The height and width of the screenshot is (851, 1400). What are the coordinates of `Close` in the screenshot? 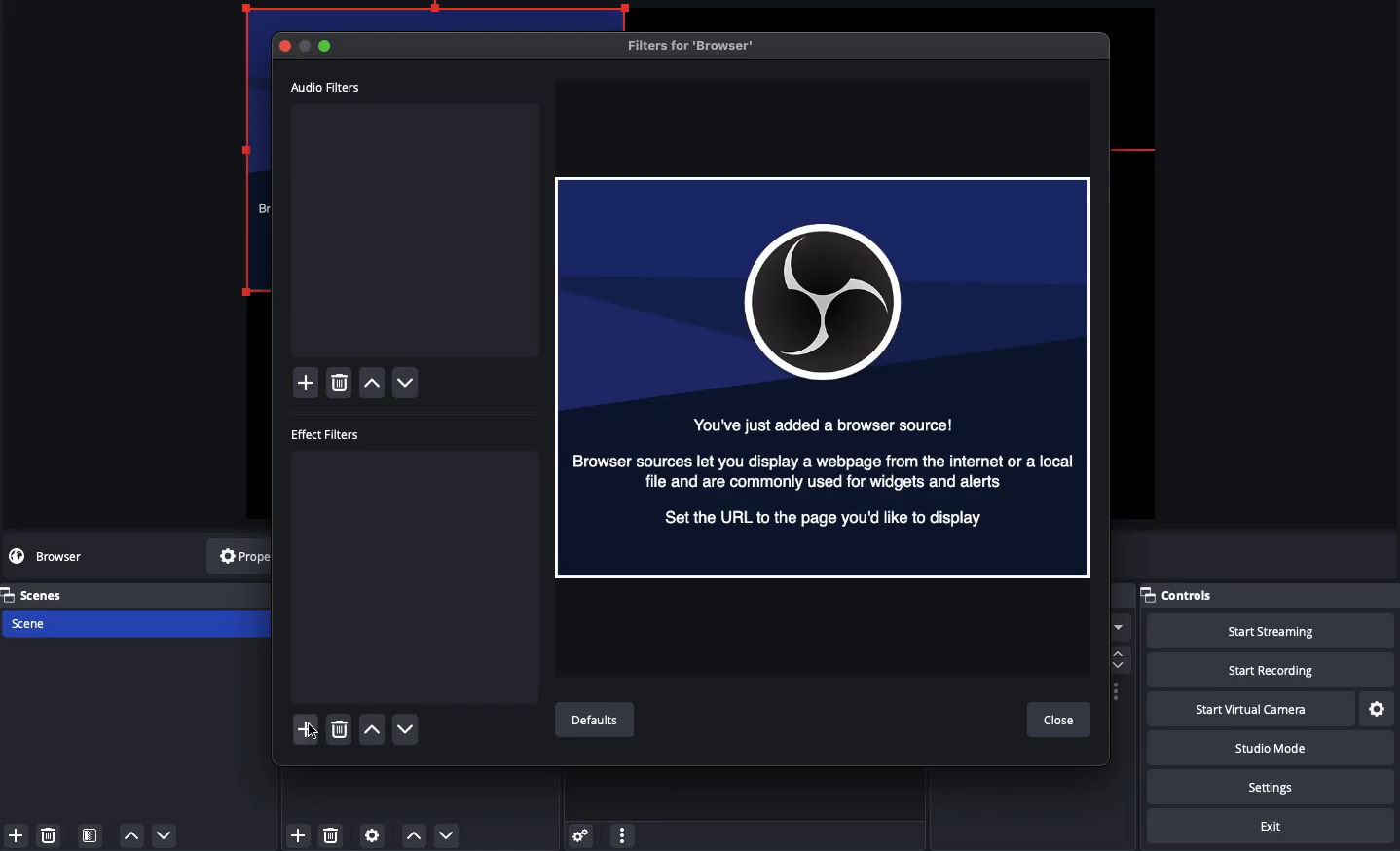 It's located at (1060, 721).